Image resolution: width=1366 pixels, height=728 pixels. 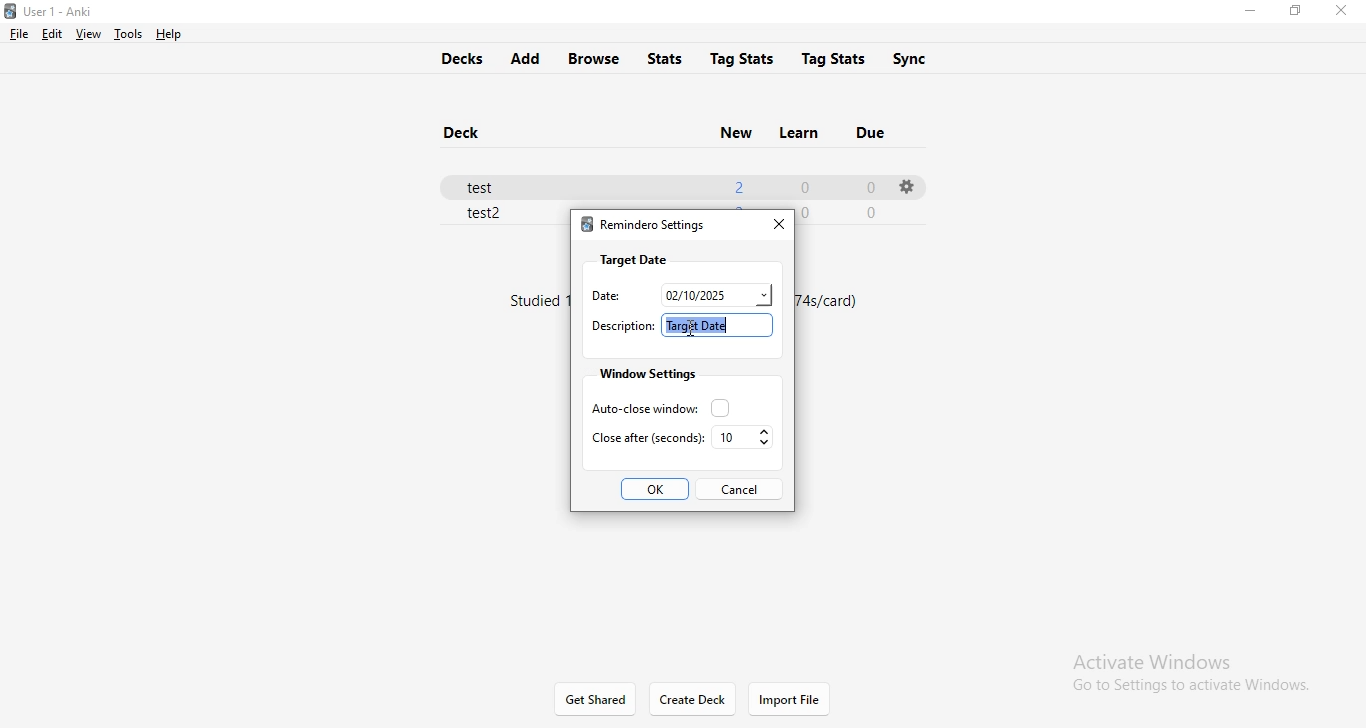 What do you see at coordinates (742, 57) in the screenshot?
I see `tag stats` at bounding box center [742, 57].